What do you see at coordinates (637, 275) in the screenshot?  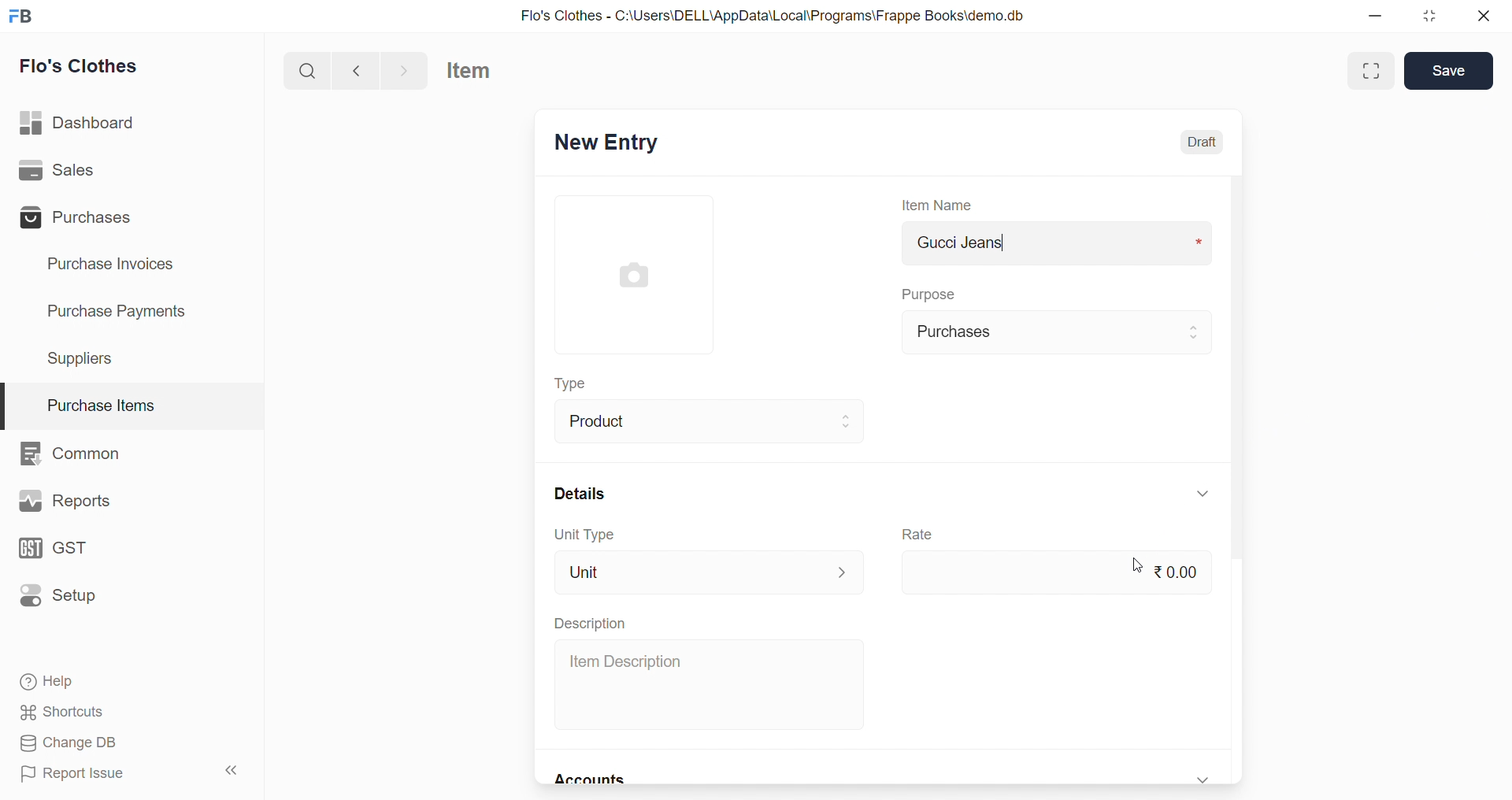 I see `image` at bounding box center [637, 275].